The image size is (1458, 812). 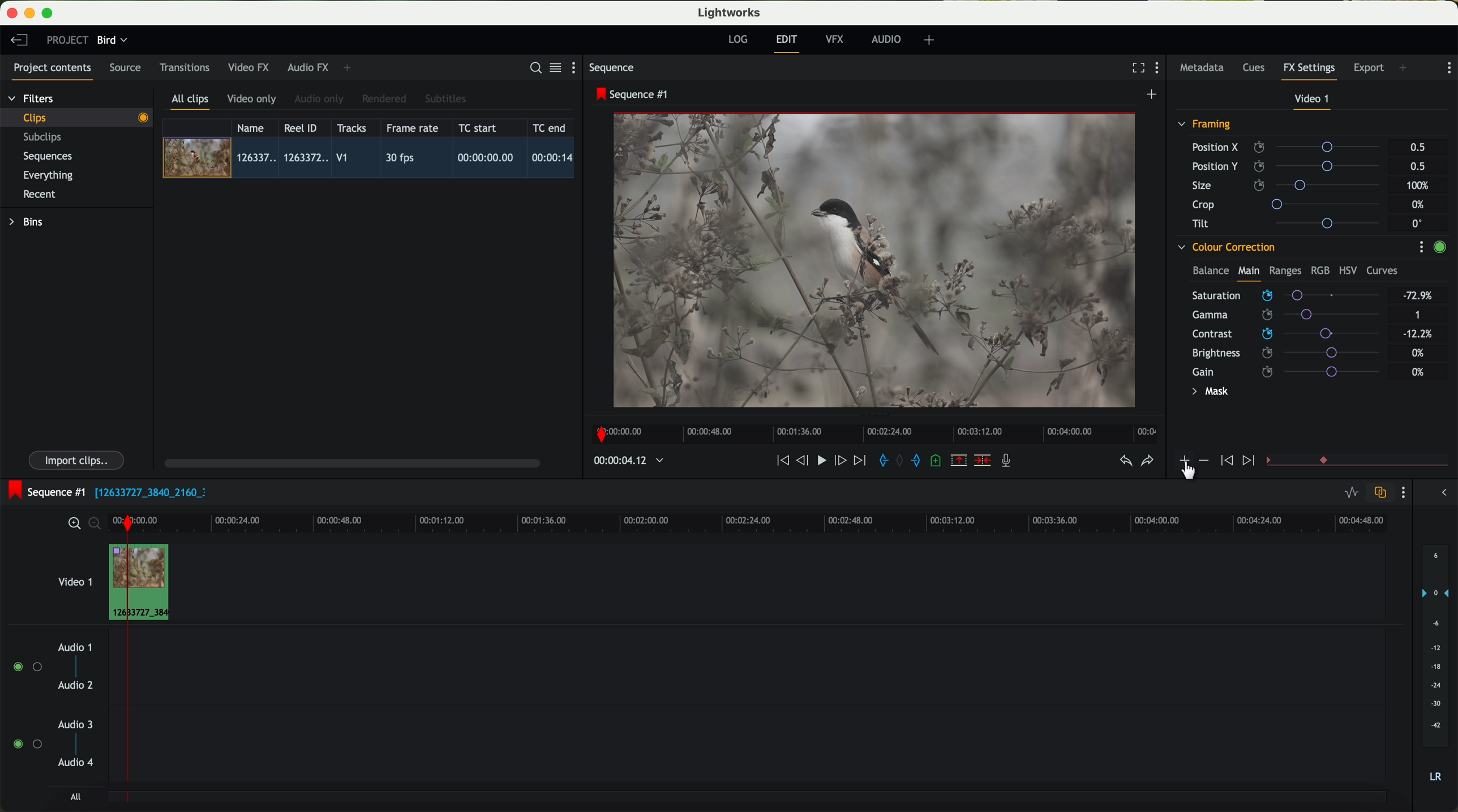 What do you see at coordinates (350, 128) in the screenshot?
I see `tracks` at bounding box center [350, 128].